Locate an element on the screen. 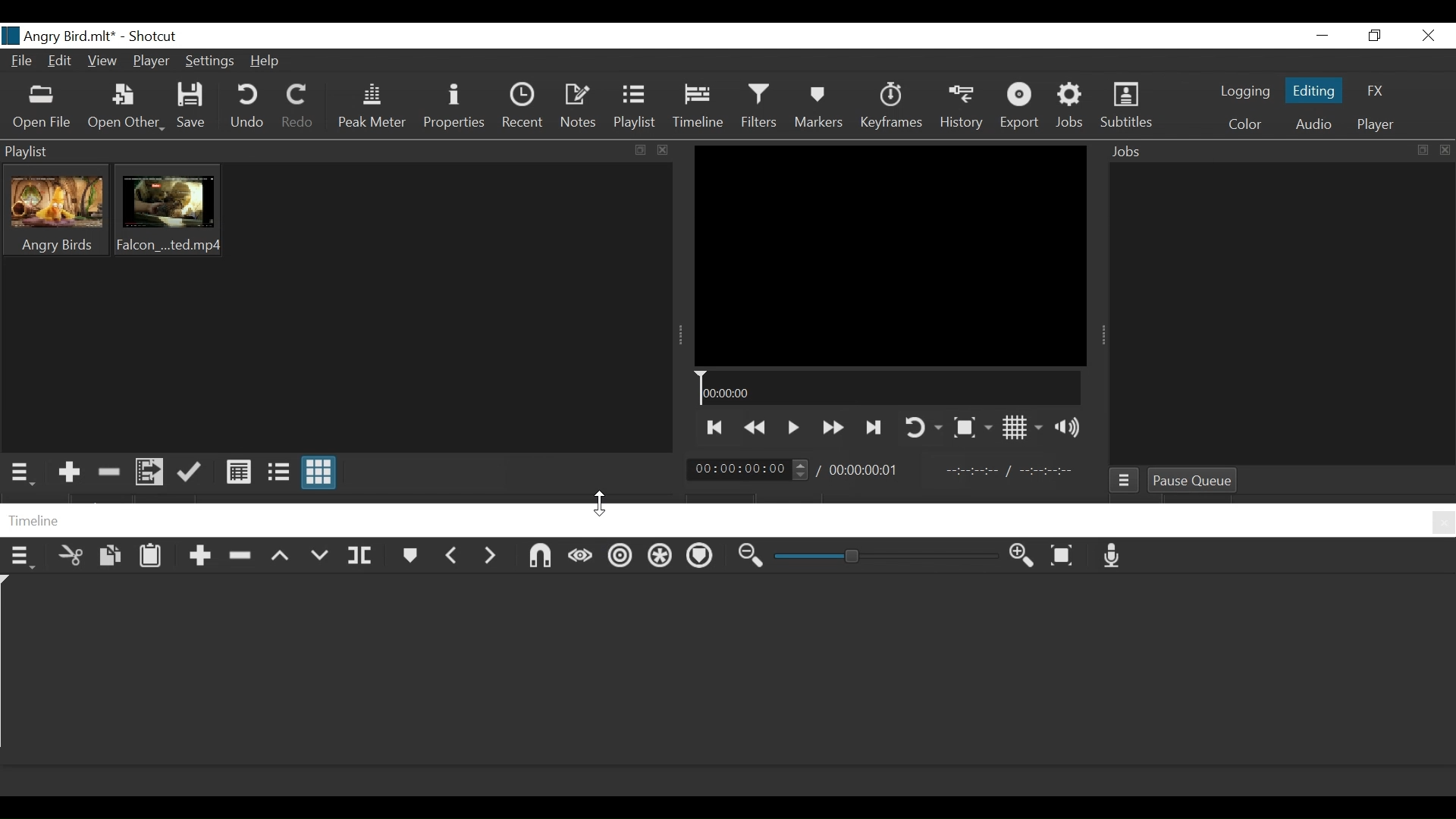 The width and height of the screenshot is (1456, 819). Skip to te previous point is located at coordinates (713, 428).